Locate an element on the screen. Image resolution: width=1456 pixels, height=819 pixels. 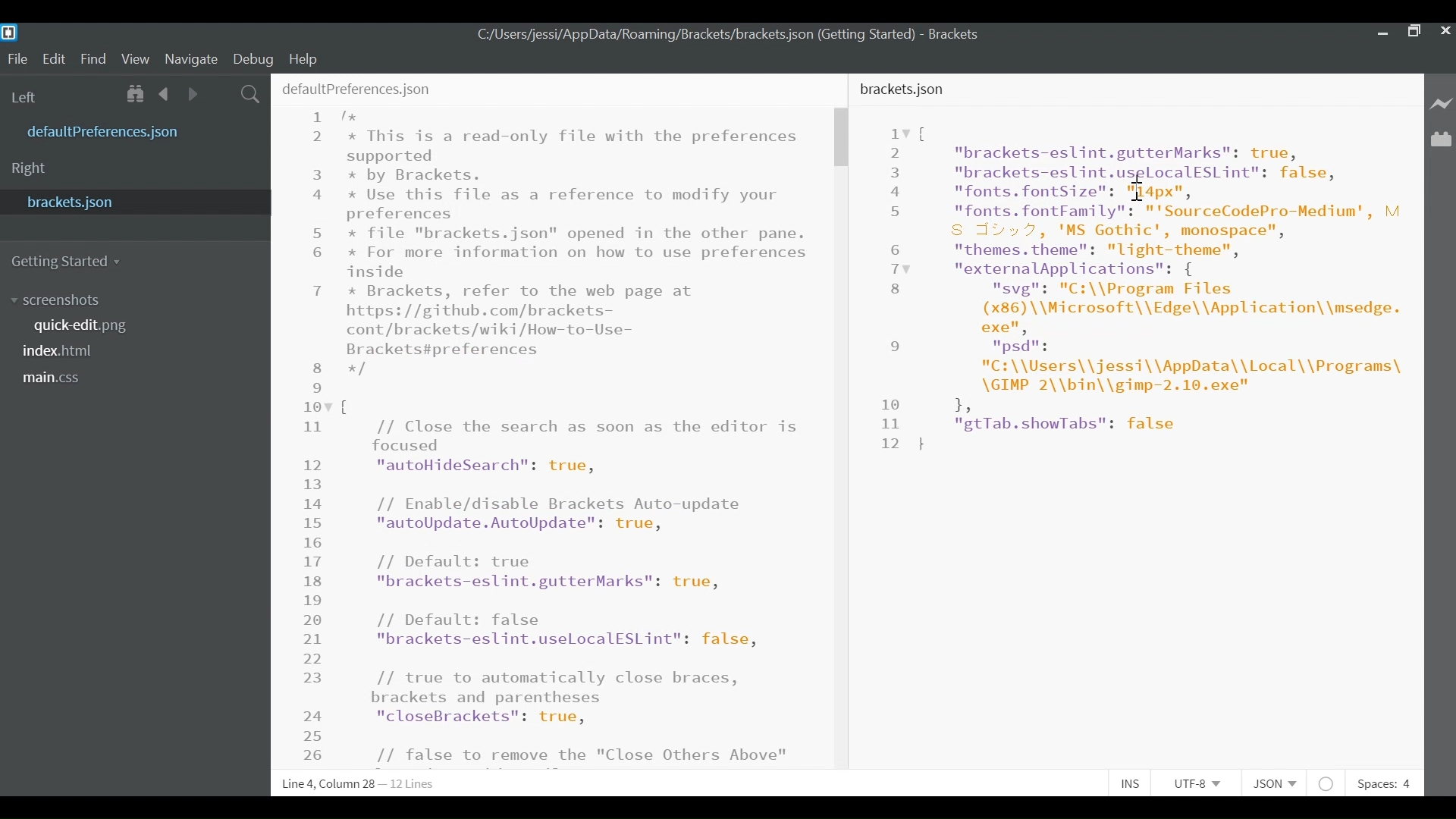
Manage Extensions is located at coordinates (1441, 139).